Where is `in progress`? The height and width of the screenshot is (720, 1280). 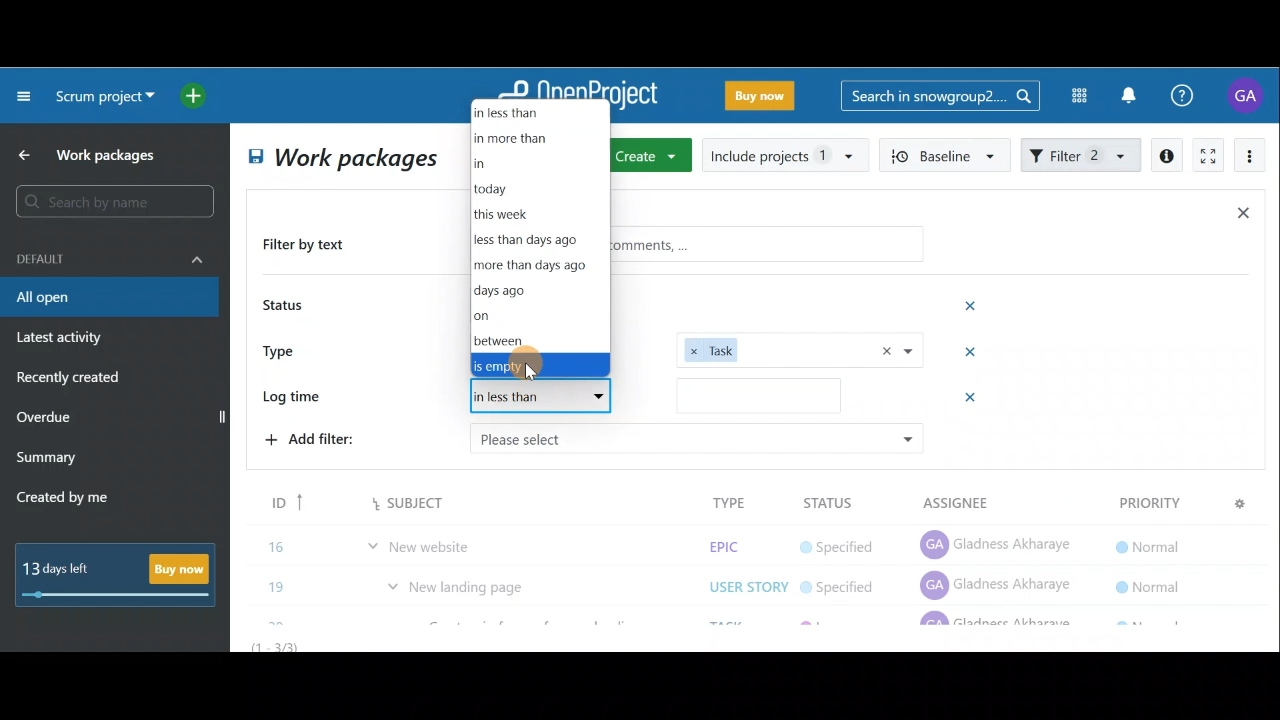 in progress is located at coordinates (844, 585).